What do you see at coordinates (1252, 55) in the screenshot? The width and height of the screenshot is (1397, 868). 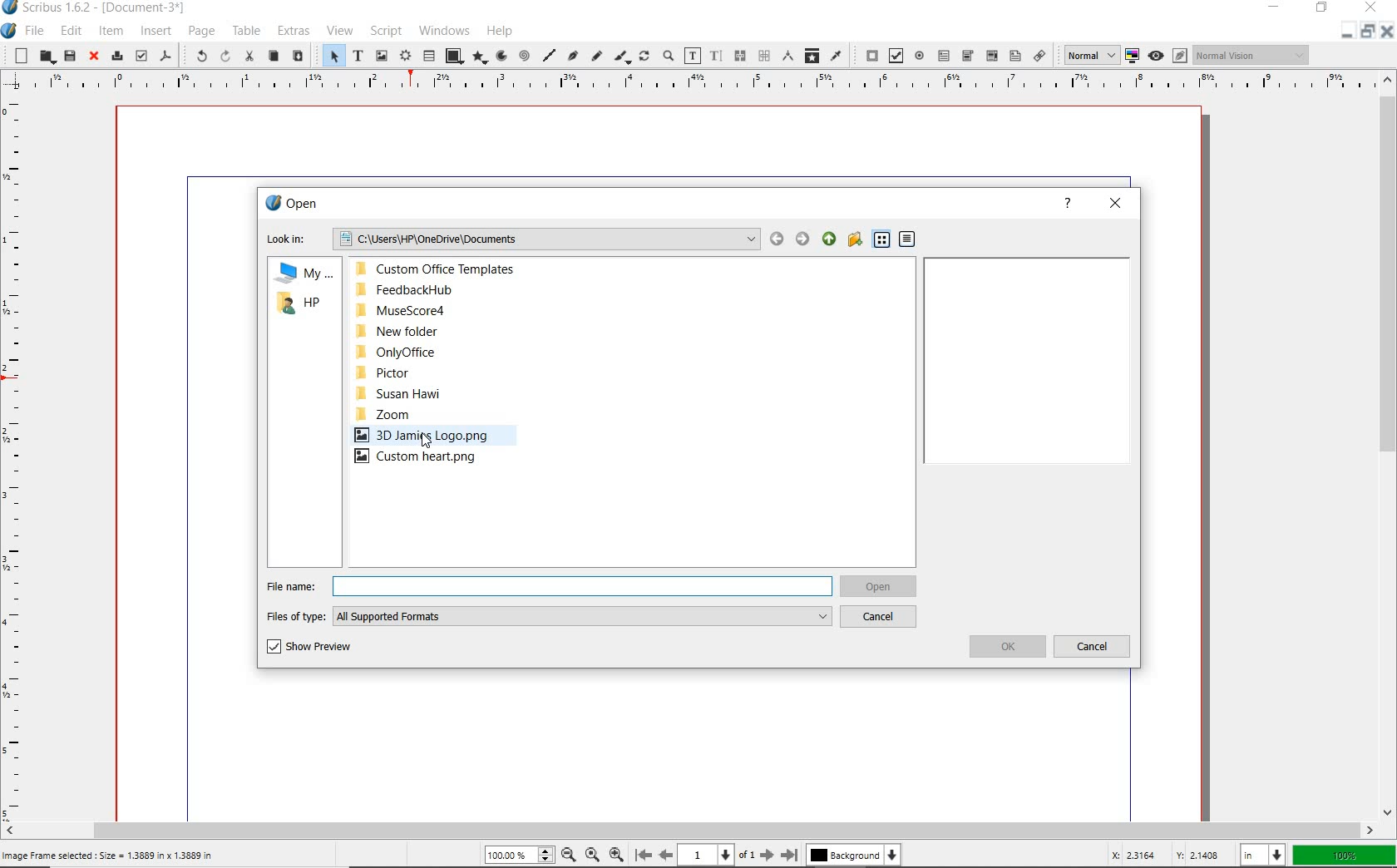 I see `visual appearance of display` at bounding box center [1252, 55].